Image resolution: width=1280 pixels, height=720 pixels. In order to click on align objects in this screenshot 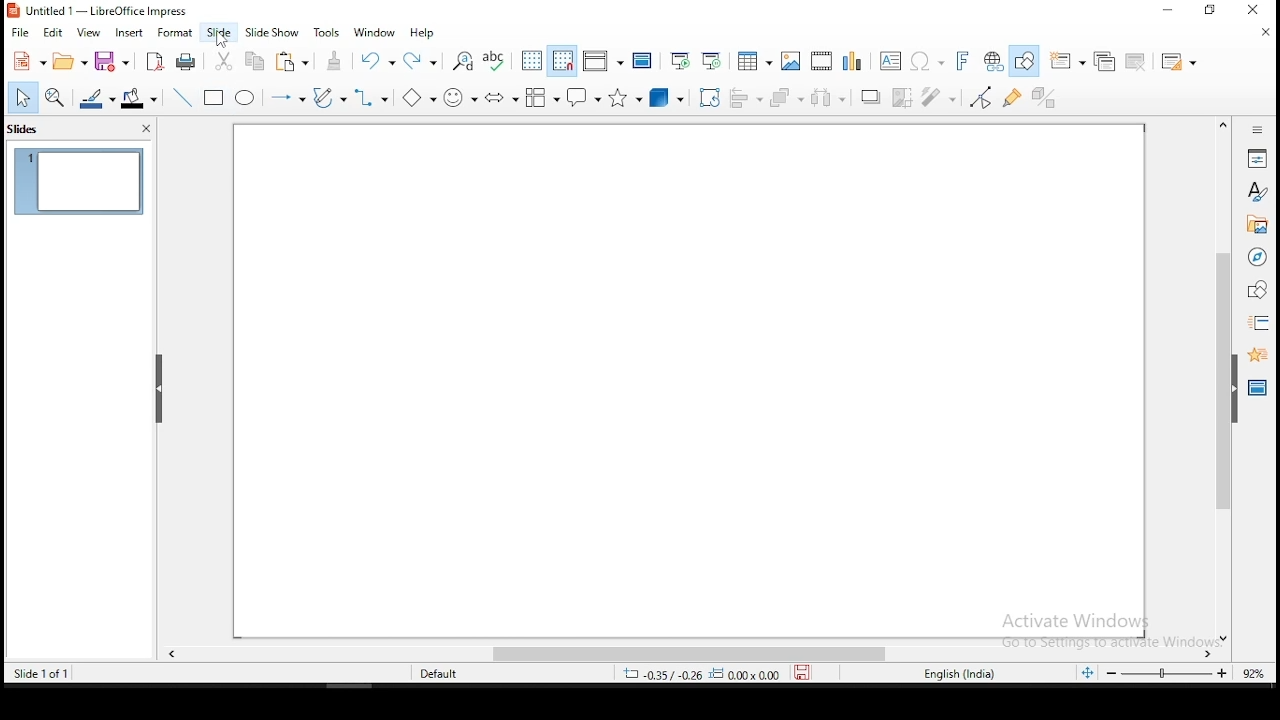, I will do `click(747, 100)`.